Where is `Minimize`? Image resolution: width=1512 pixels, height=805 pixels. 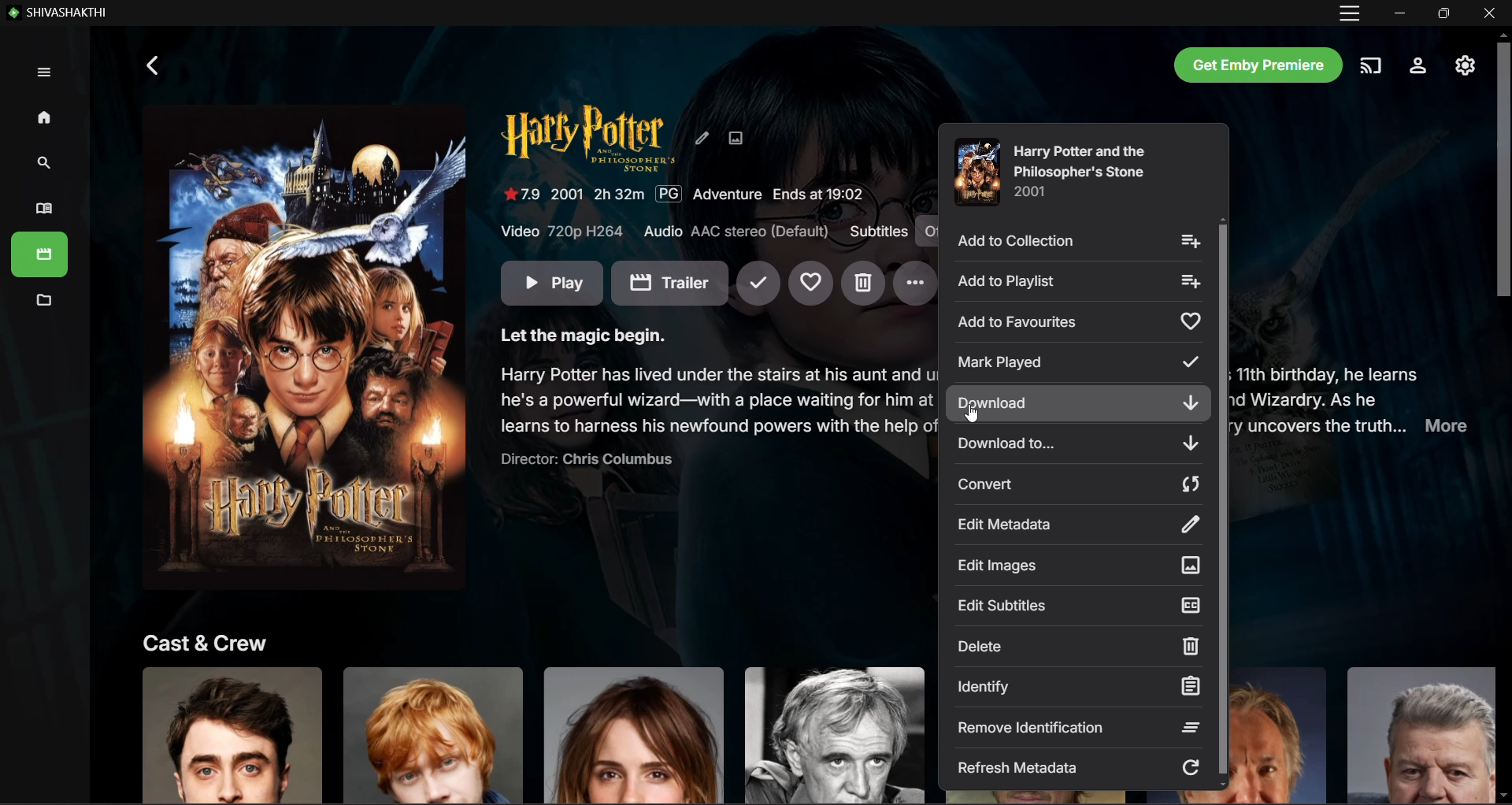
Minimize is located at coordinates (1400, 13).